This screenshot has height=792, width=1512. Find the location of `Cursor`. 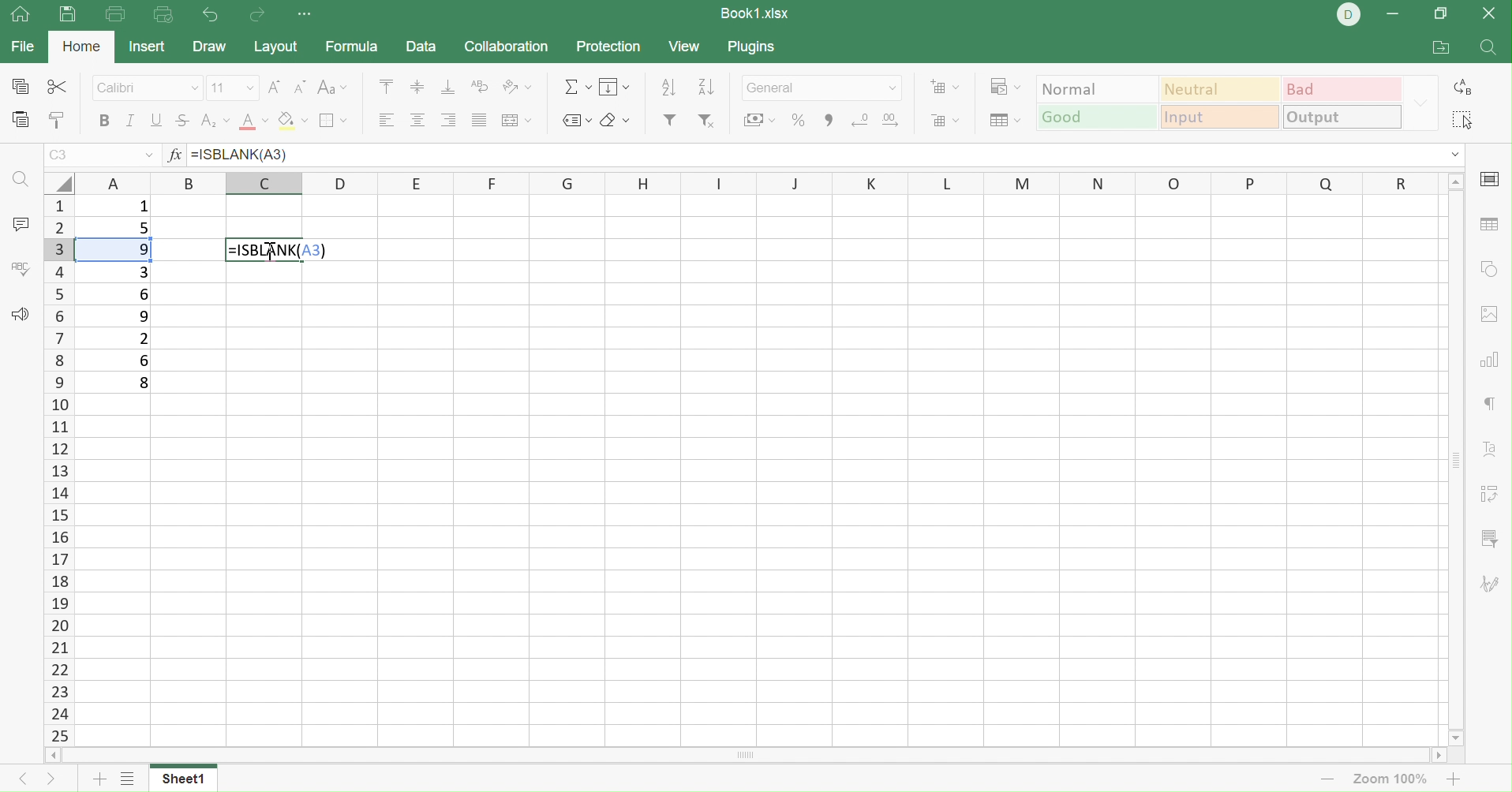

Cursor is located at coordinates (271, 251).